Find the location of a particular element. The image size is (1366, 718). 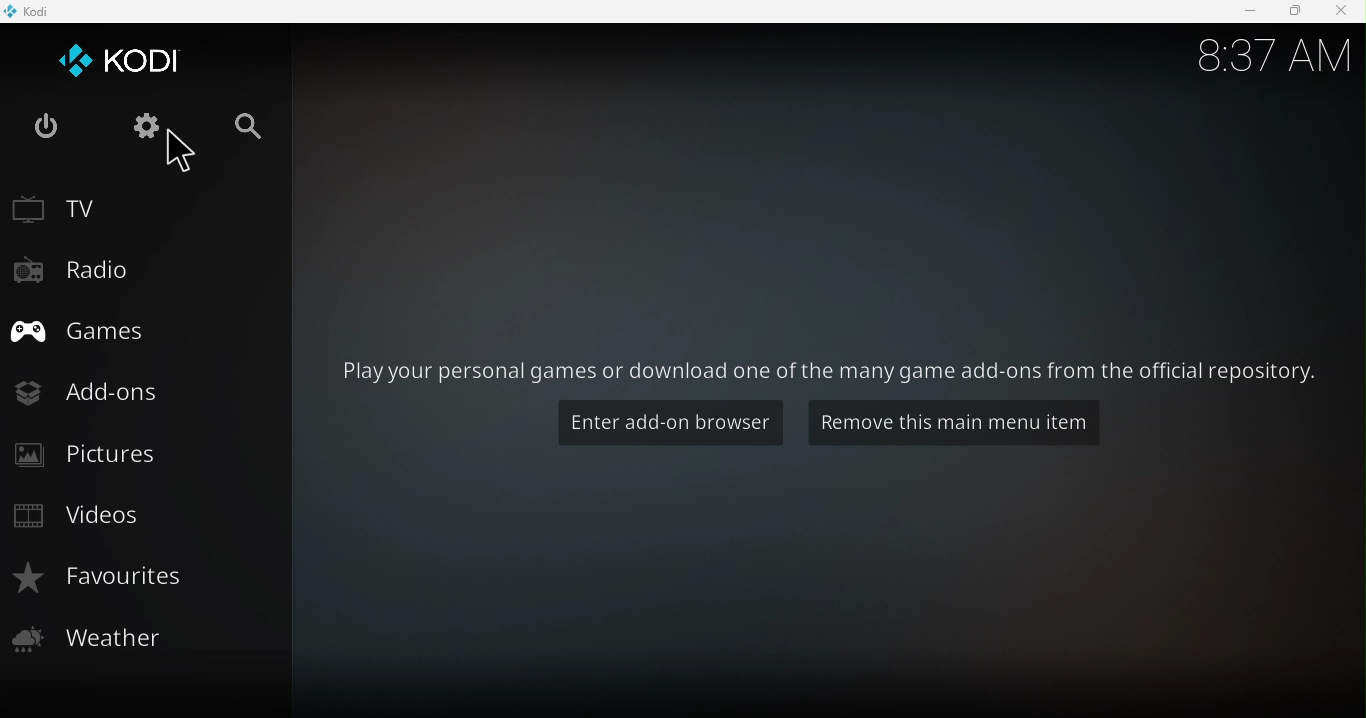

Remove this main menu item is located at coordinates (955, 425).